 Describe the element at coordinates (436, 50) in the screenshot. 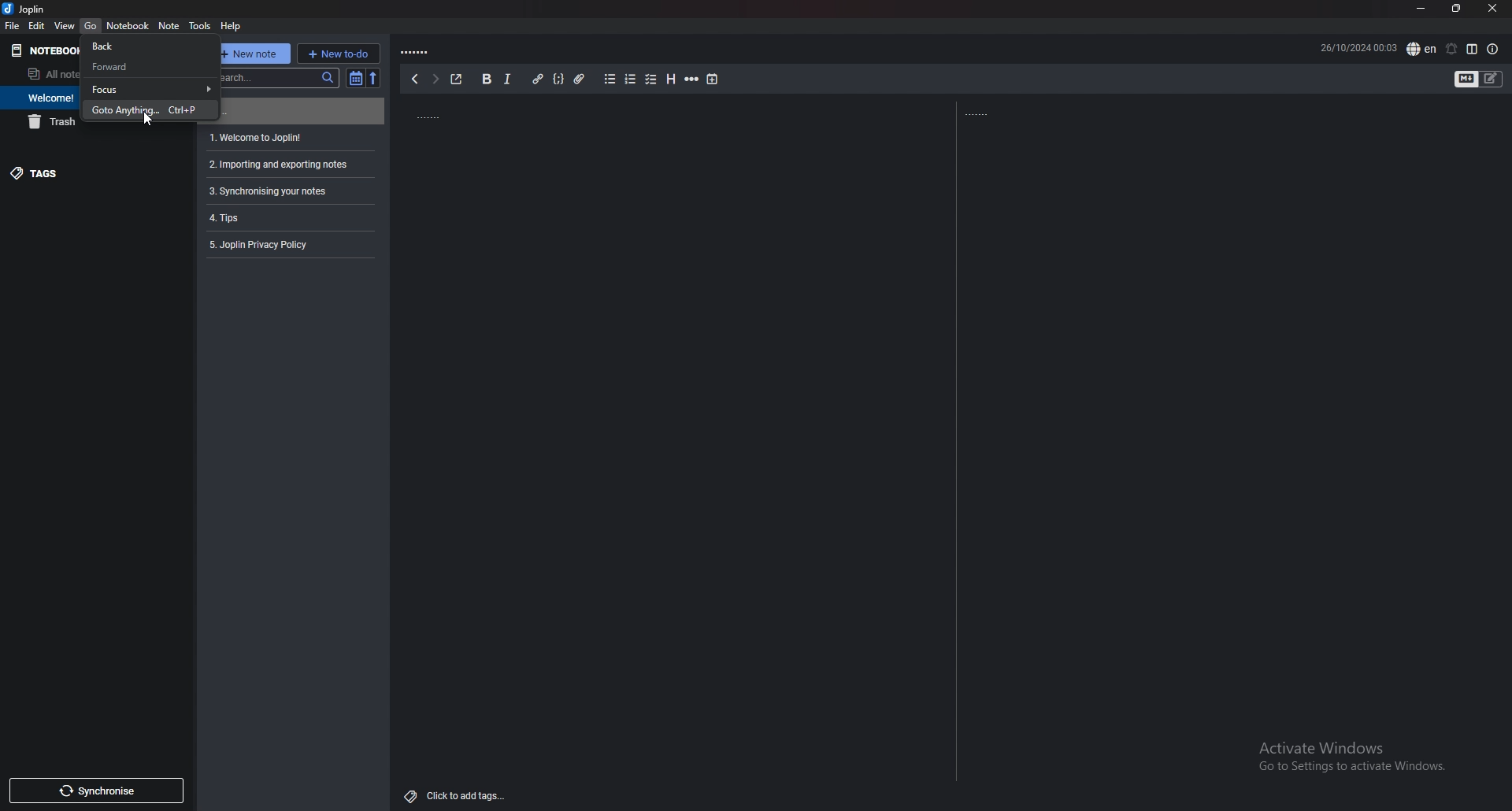

I see `note name` at that location.